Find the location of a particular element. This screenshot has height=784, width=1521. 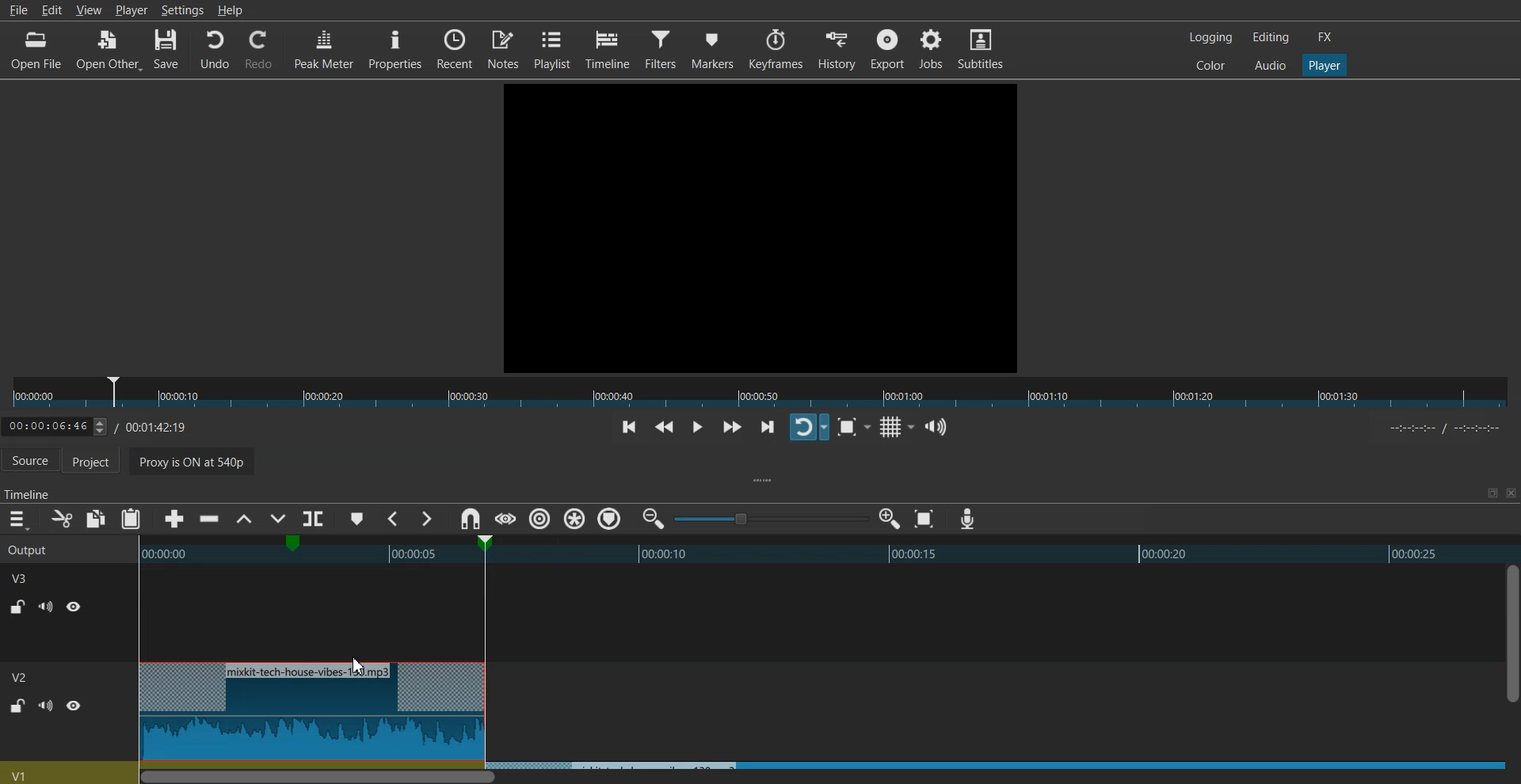

Add marker is located at coordinates (357, 519).